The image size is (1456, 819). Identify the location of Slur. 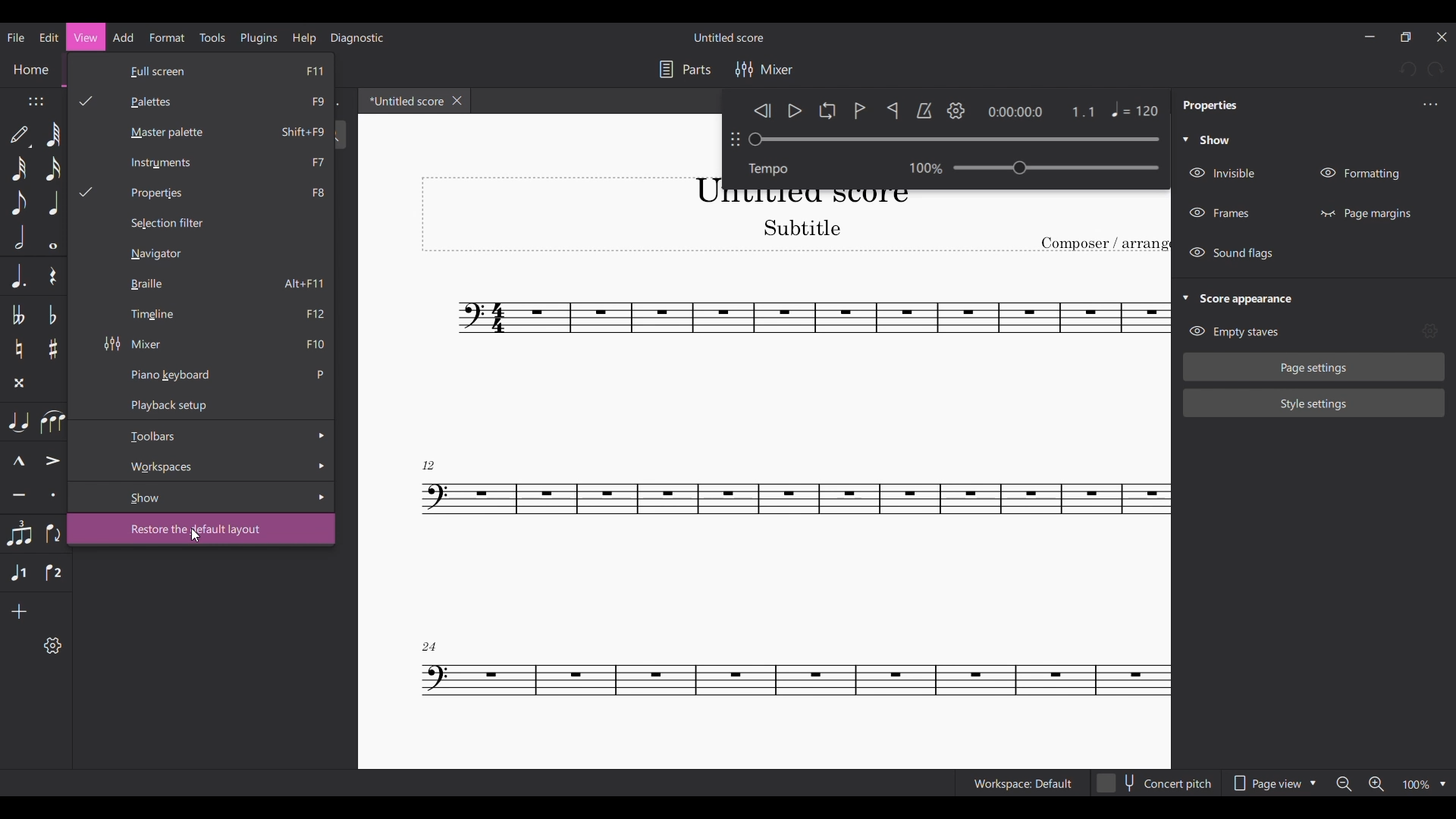
(54, 422).